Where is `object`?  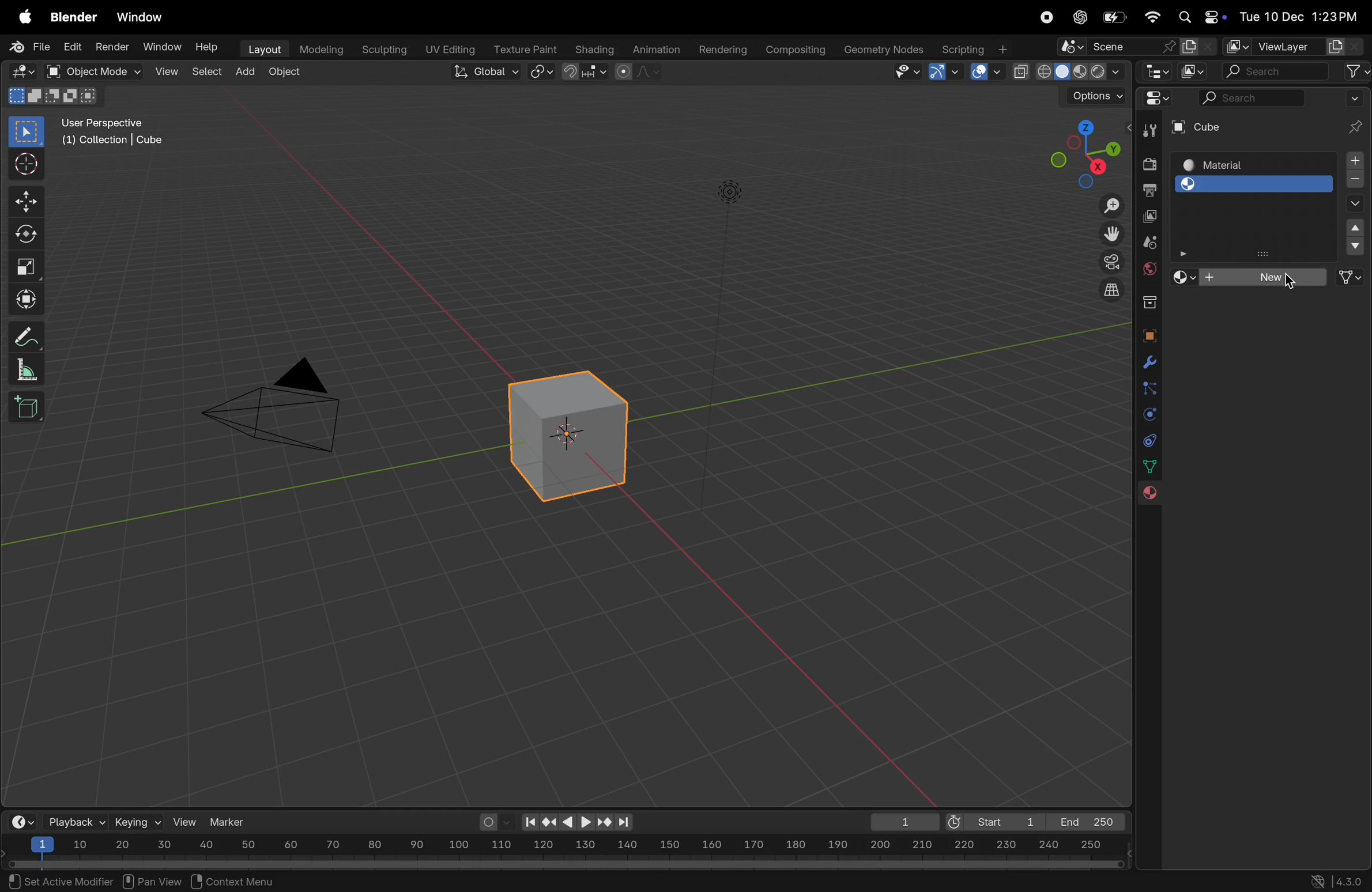 object is located at coordinates (1148, 336).